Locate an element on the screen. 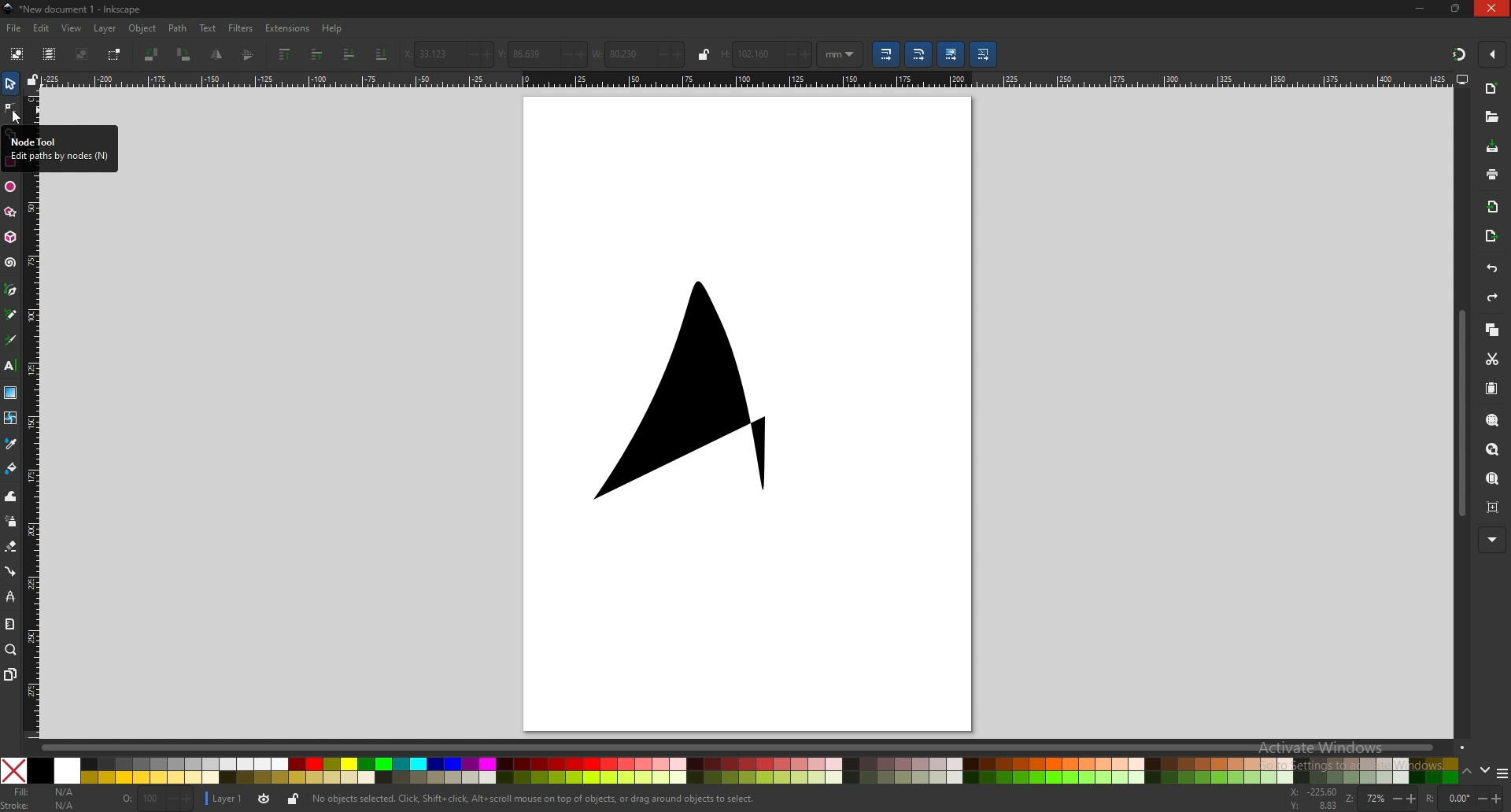 Image resolution: width=1511 pixels, height=812 pixels. new is located at coordinates (1491, 88).